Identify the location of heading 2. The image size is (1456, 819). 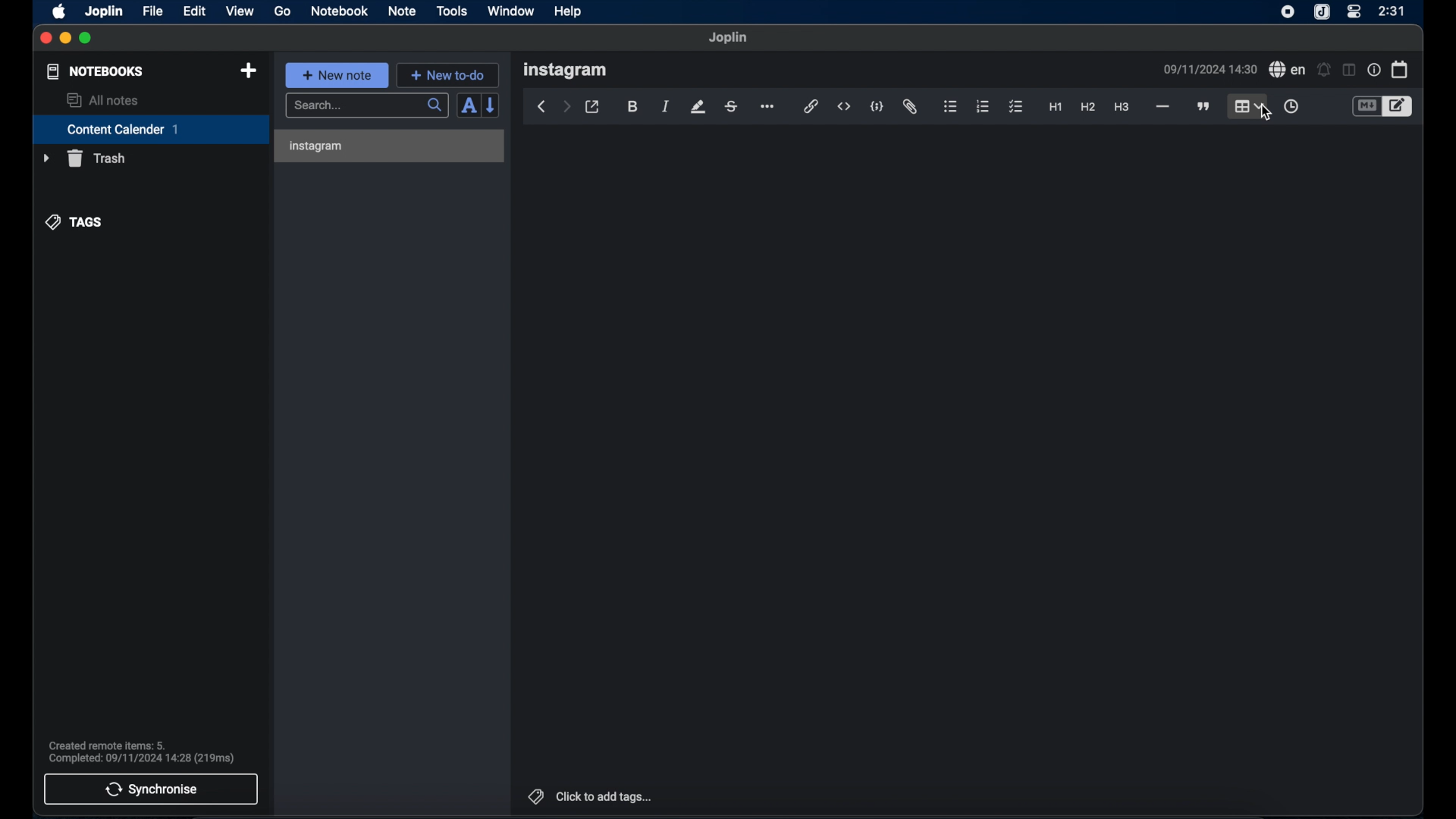
(1088, 107).